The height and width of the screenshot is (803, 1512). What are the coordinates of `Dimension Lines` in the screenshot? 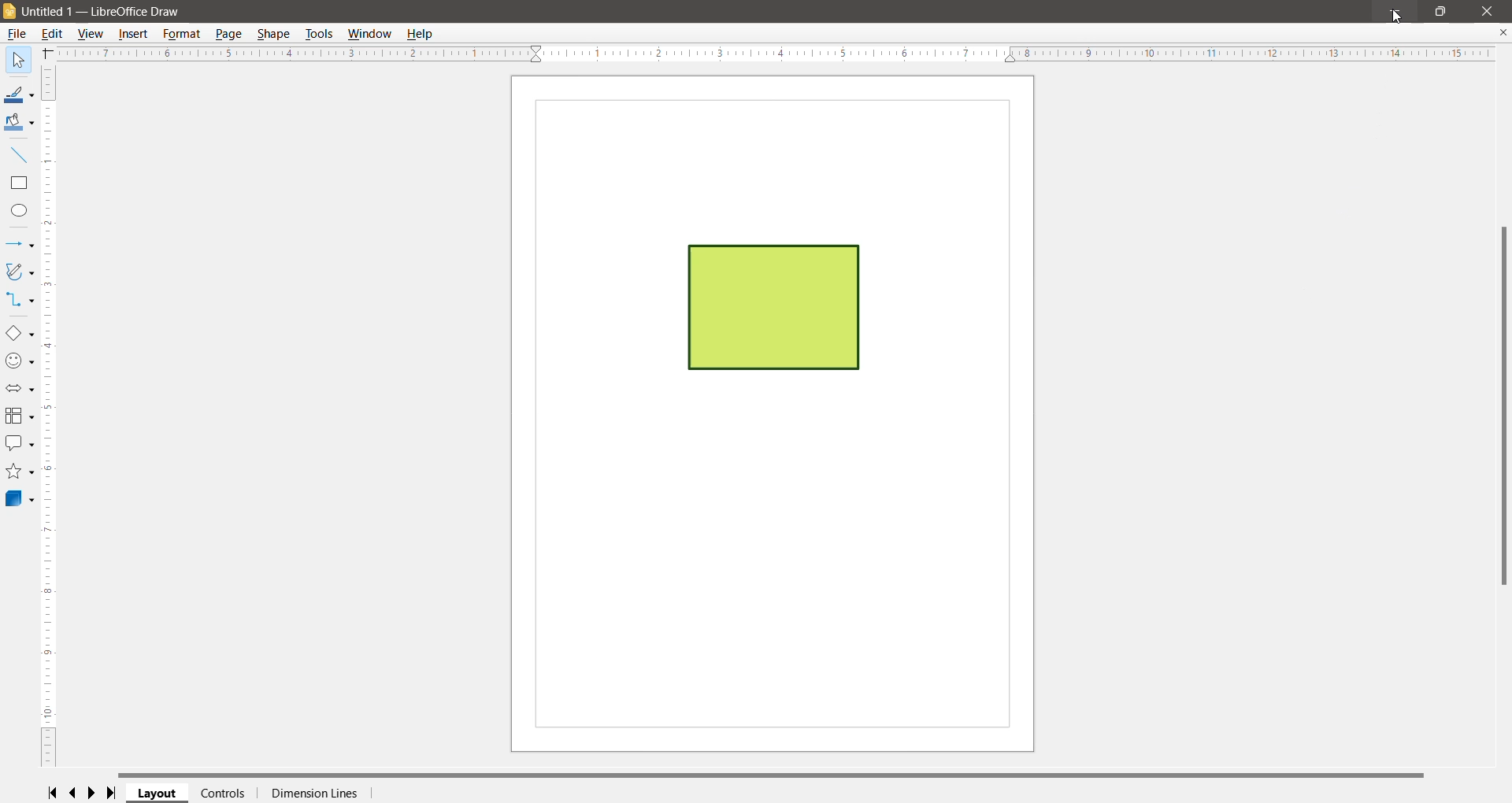 It's located at (313, 794).